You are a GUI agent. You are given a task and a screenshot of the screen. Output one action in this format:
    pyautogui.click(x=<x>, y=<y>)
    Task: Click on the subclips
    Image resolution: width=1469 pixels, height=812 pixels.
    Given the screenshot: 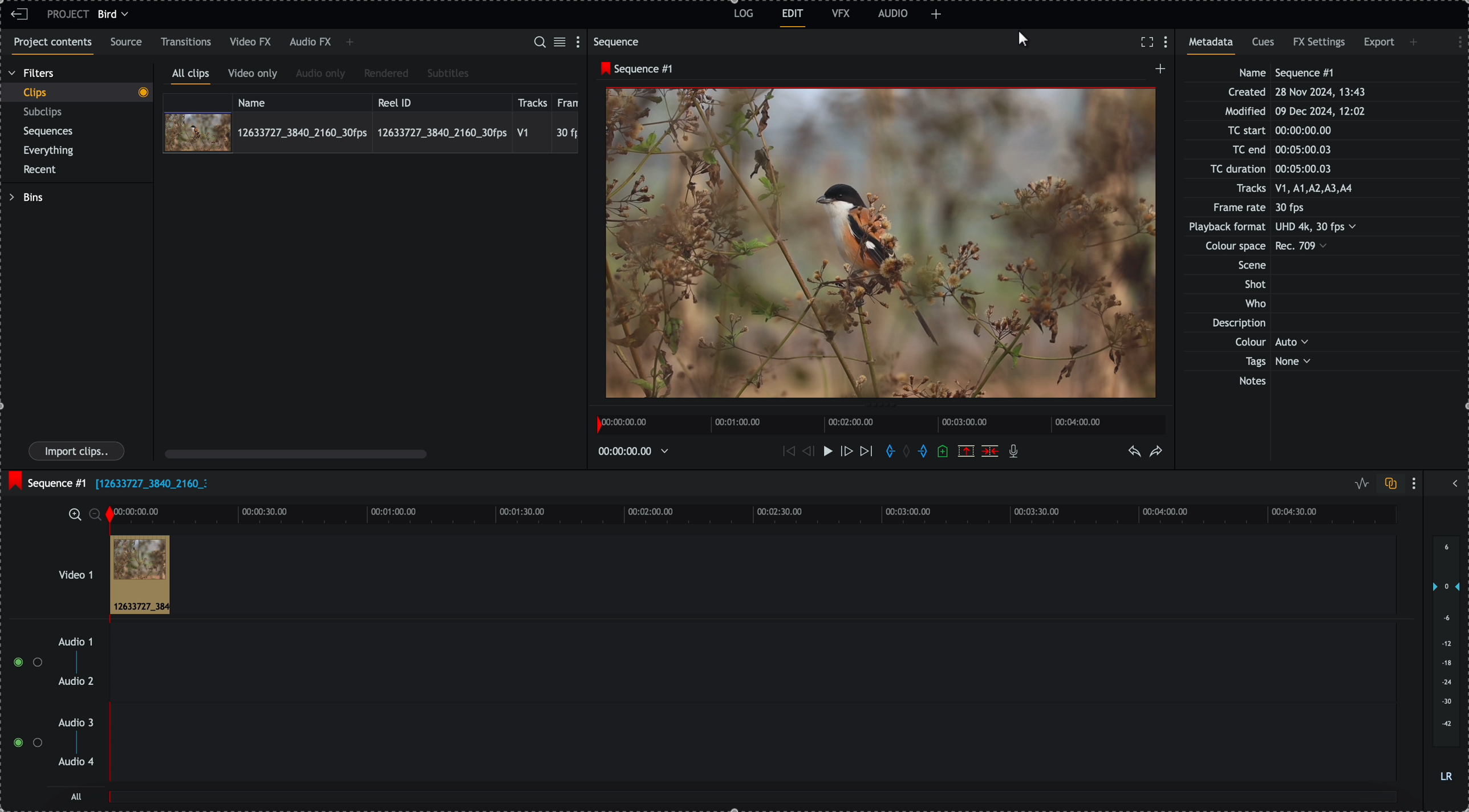 What is the action you would take?
    pyautogui.click(x=45, y=112)
    